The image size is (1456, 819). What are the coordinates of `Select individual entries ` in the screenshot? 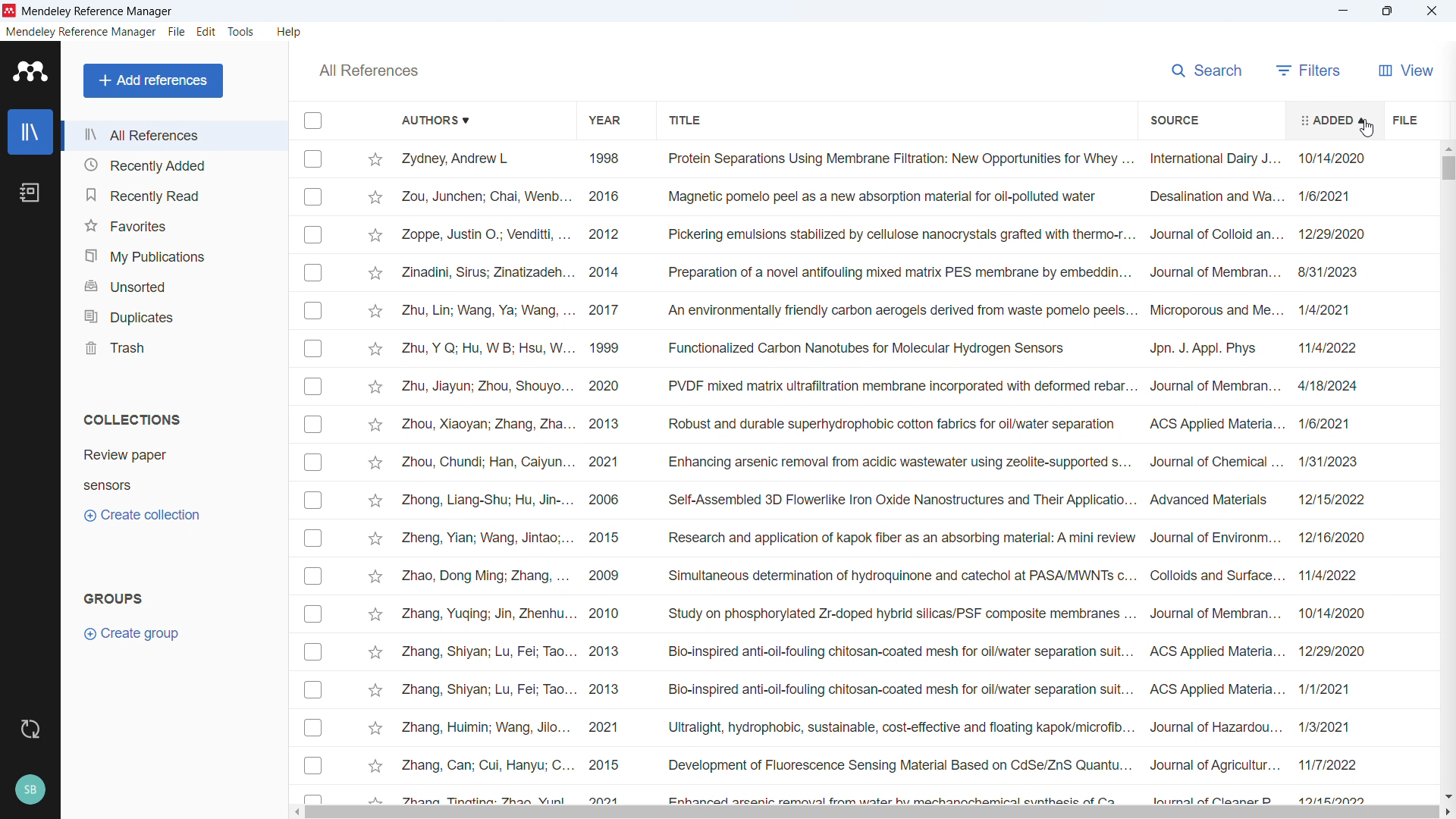 It's located at (313, 475).